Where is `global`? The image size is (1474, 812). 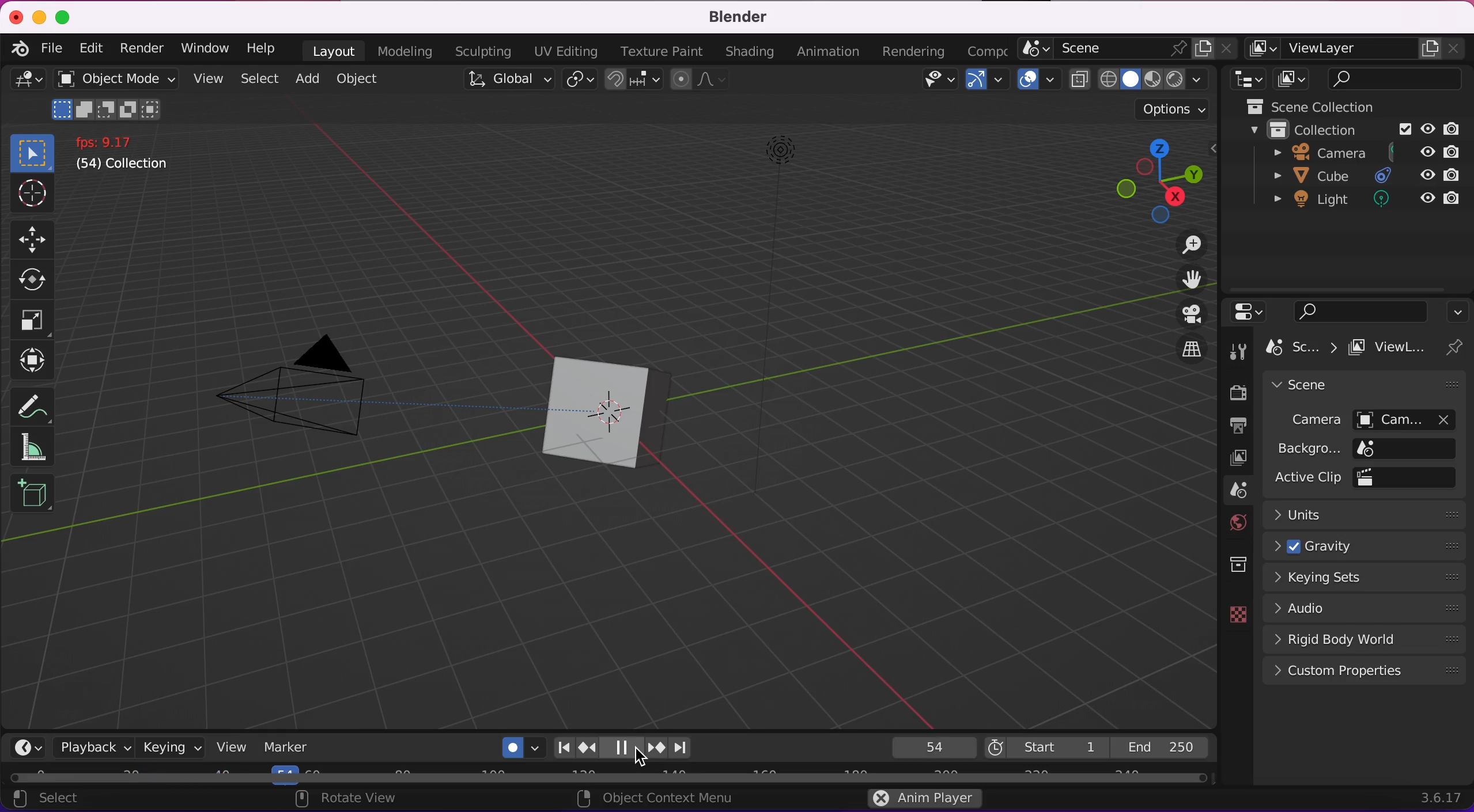 global is located at coordinates (498, 81).